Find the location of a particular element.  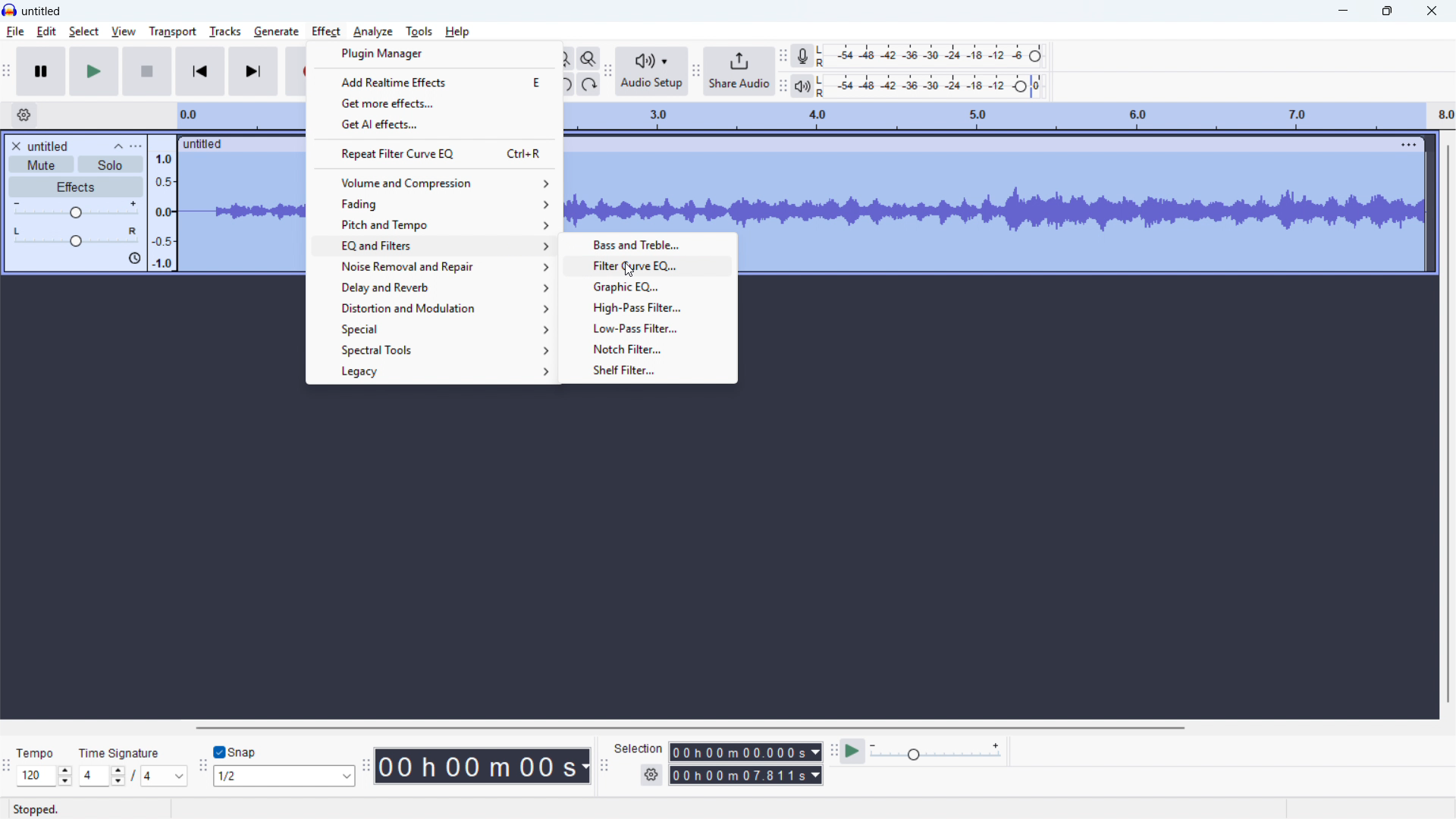

generate is located at coordinates (276, 31).